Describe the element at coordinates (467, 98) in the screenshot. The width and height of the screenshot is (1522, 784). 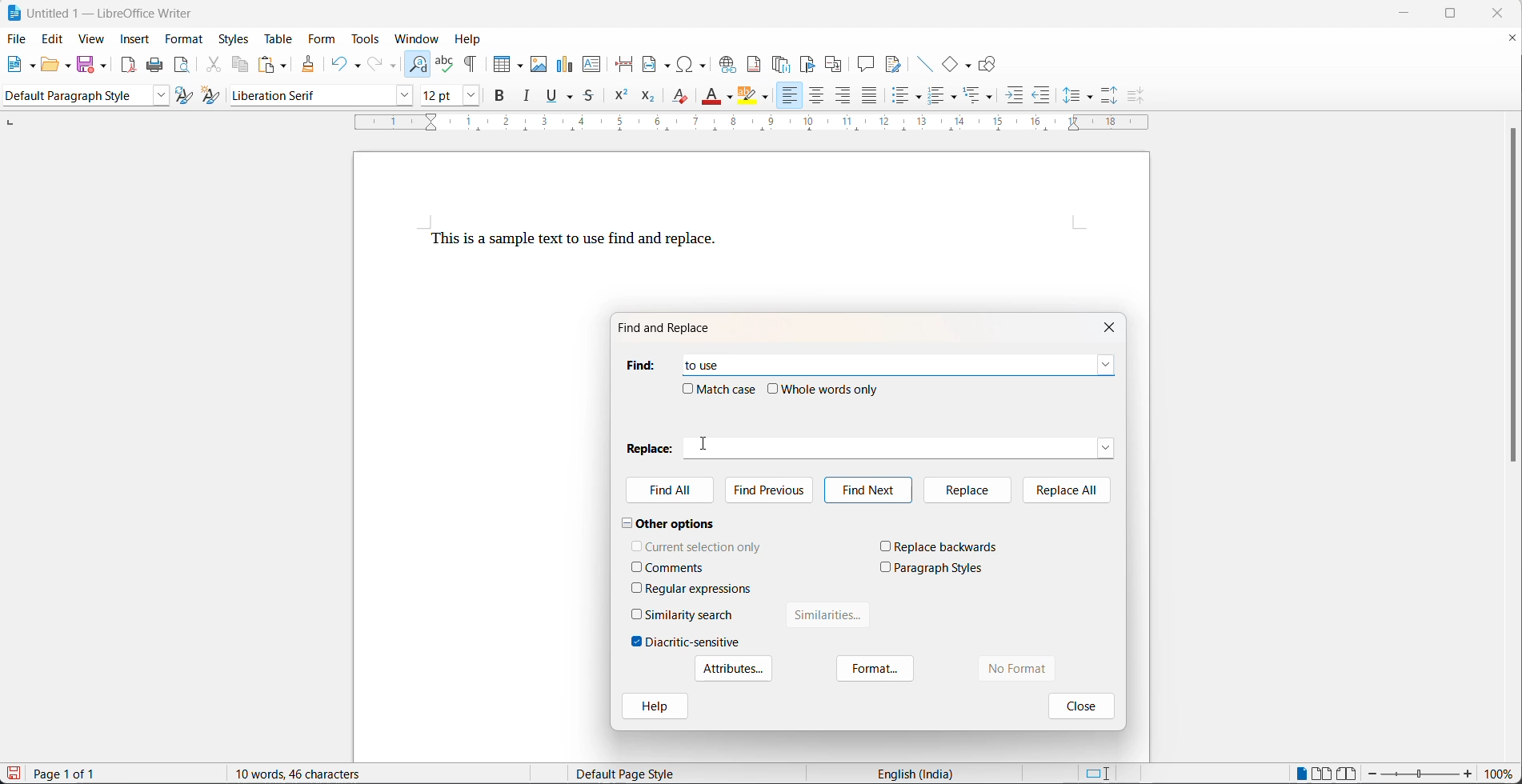
I see `font size options` at that location.